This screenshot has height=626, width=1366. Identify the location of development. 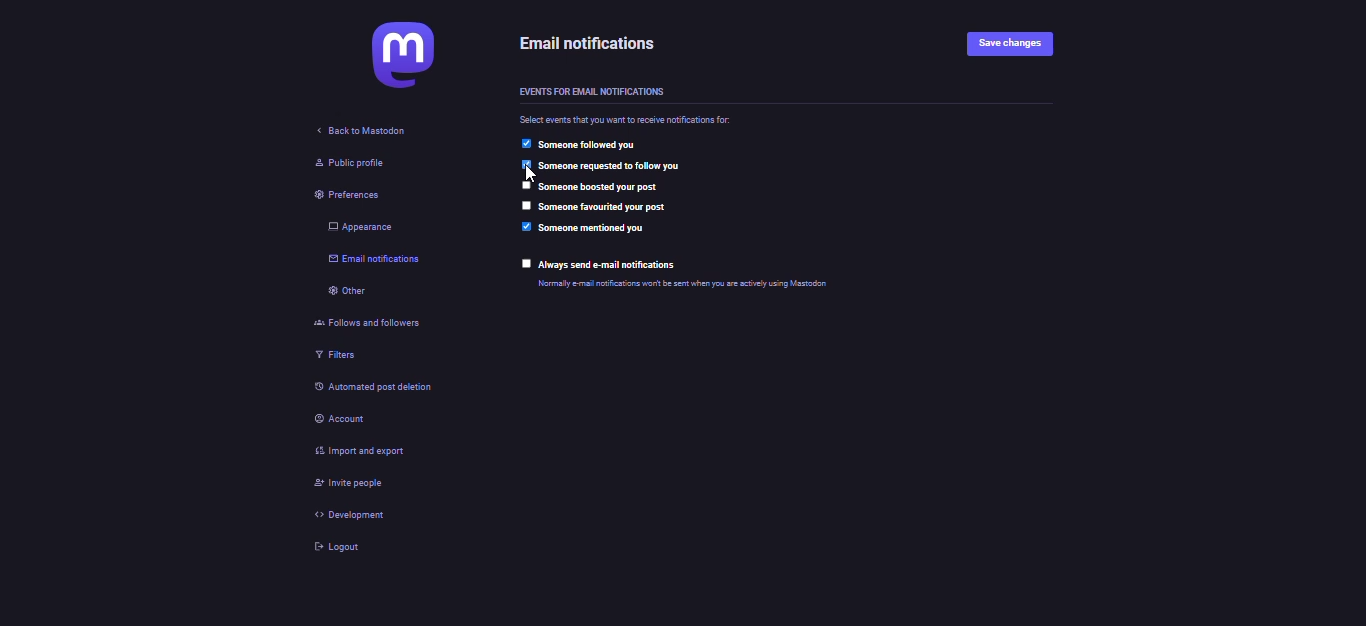
(337, 515).